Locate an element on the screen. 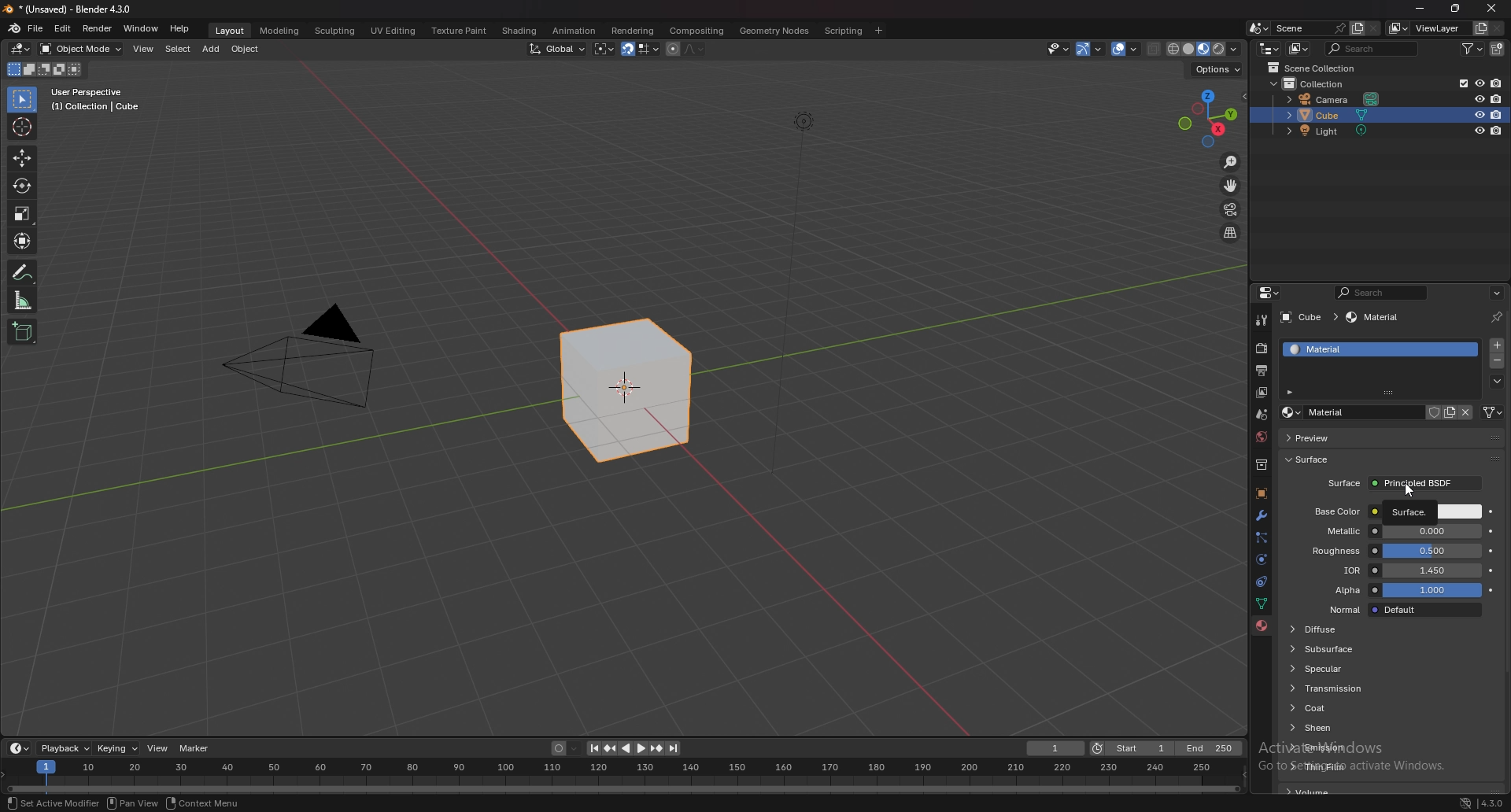  show filtering options is located at coordinates (1291, 391).